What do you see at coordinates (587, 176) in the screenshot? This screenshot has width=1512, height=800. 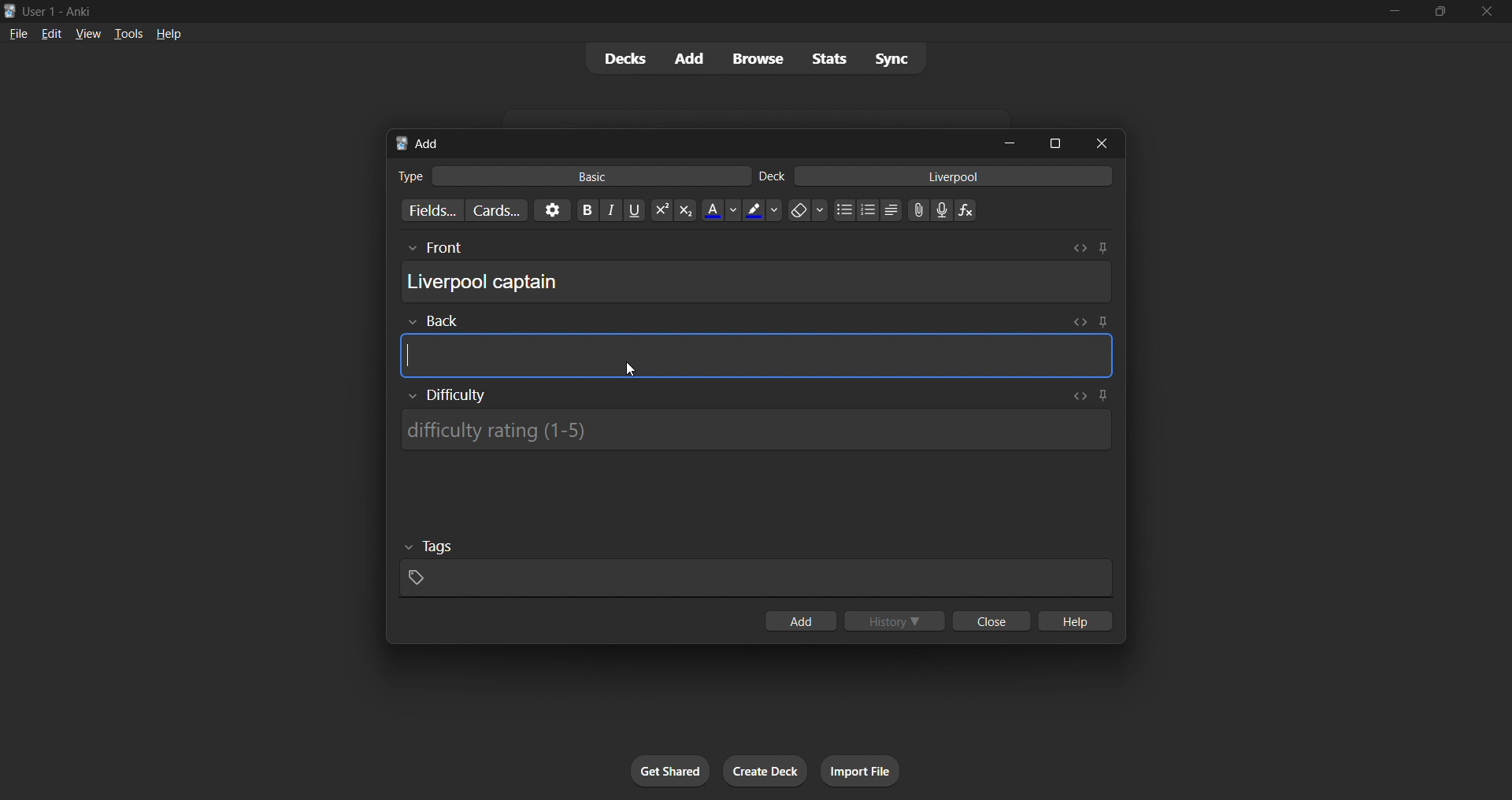 I see `basic card type` at bounding box center [587, 176].